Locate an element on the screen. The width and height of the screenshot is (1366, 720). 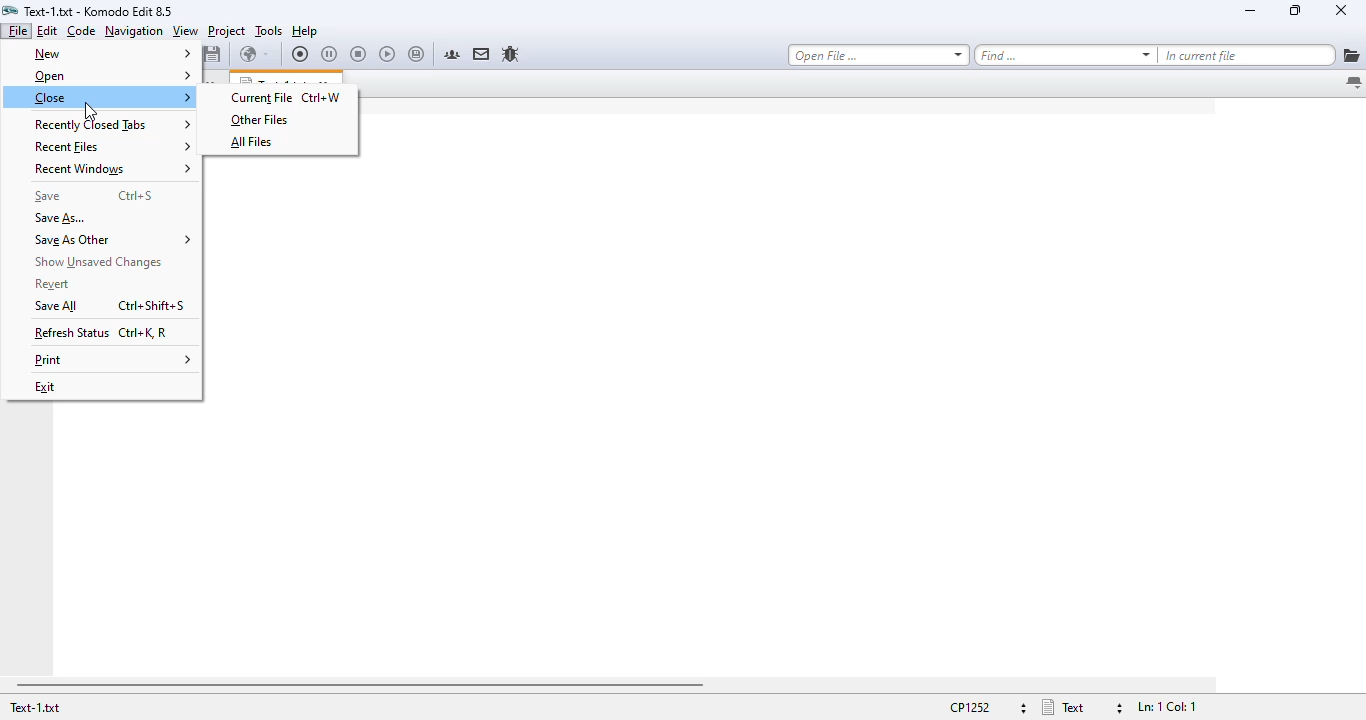
preview buffer in browser is located at coordinates (254, 54).